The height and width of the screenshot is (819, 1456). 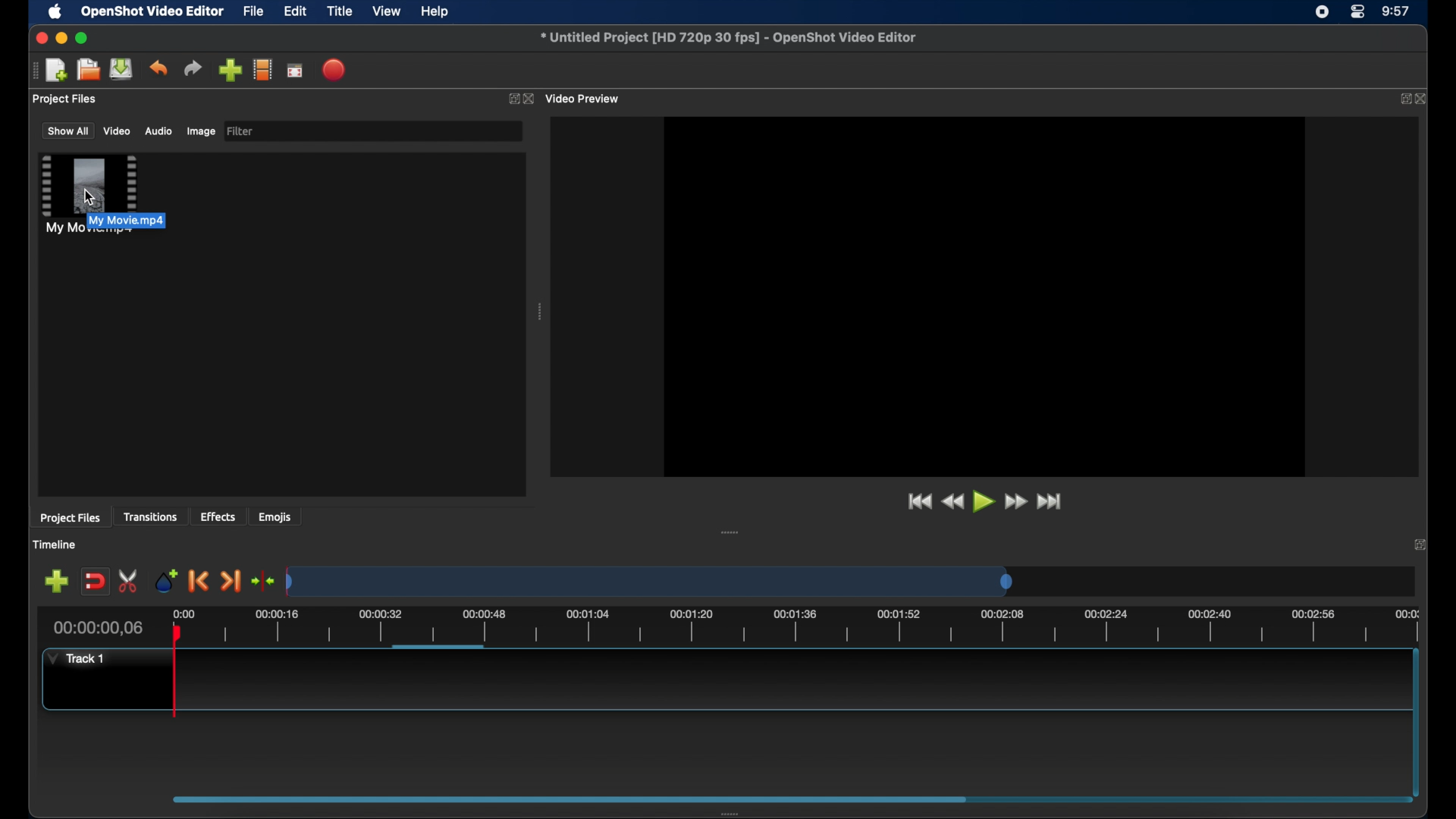 I want to click on rewind, so click(x=952, y=502).